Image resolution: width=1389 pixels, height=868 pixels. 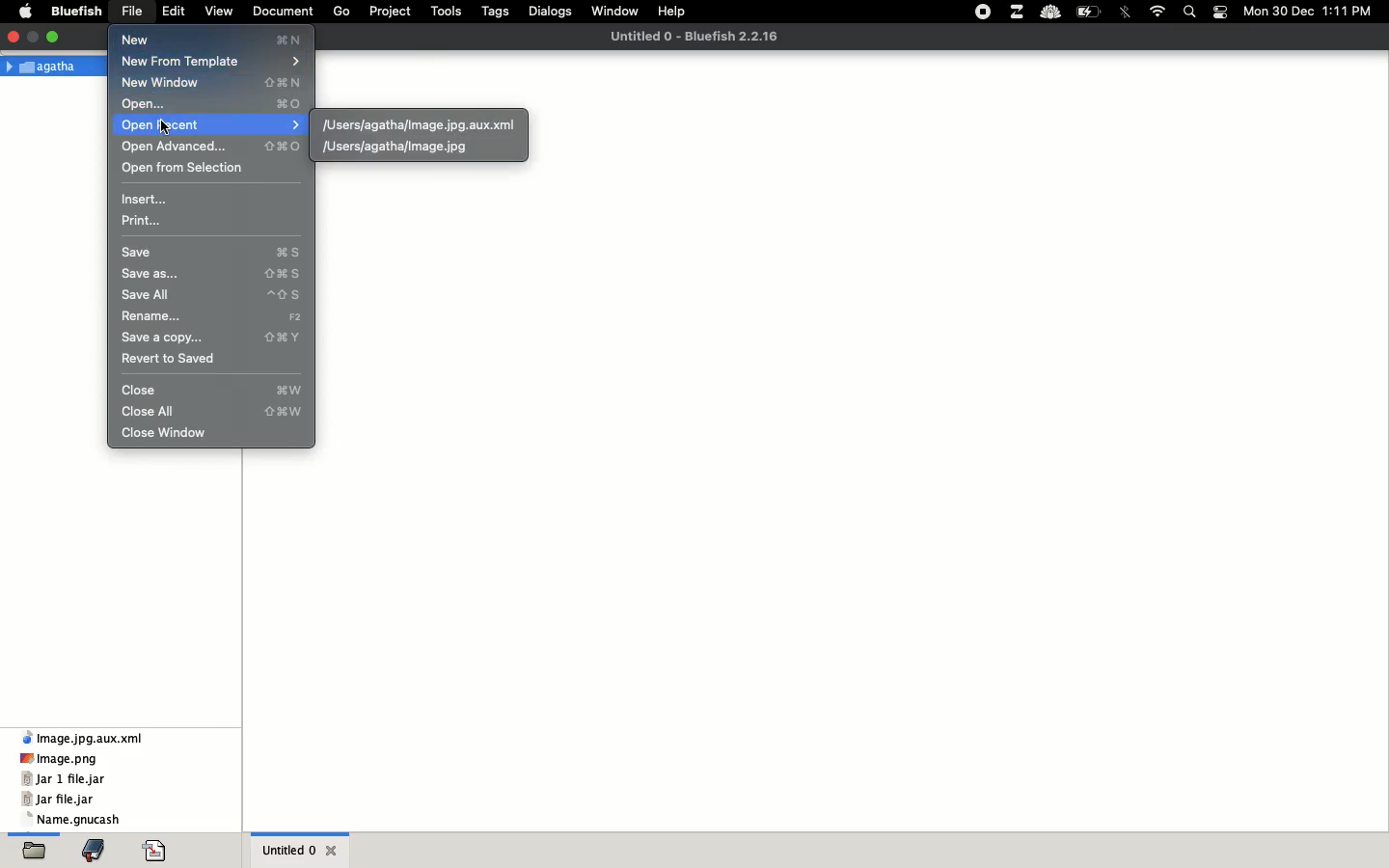 What do you see at coordinates (13, 34) in the screenshot?
I see `close` at bounding box center [13, 34].